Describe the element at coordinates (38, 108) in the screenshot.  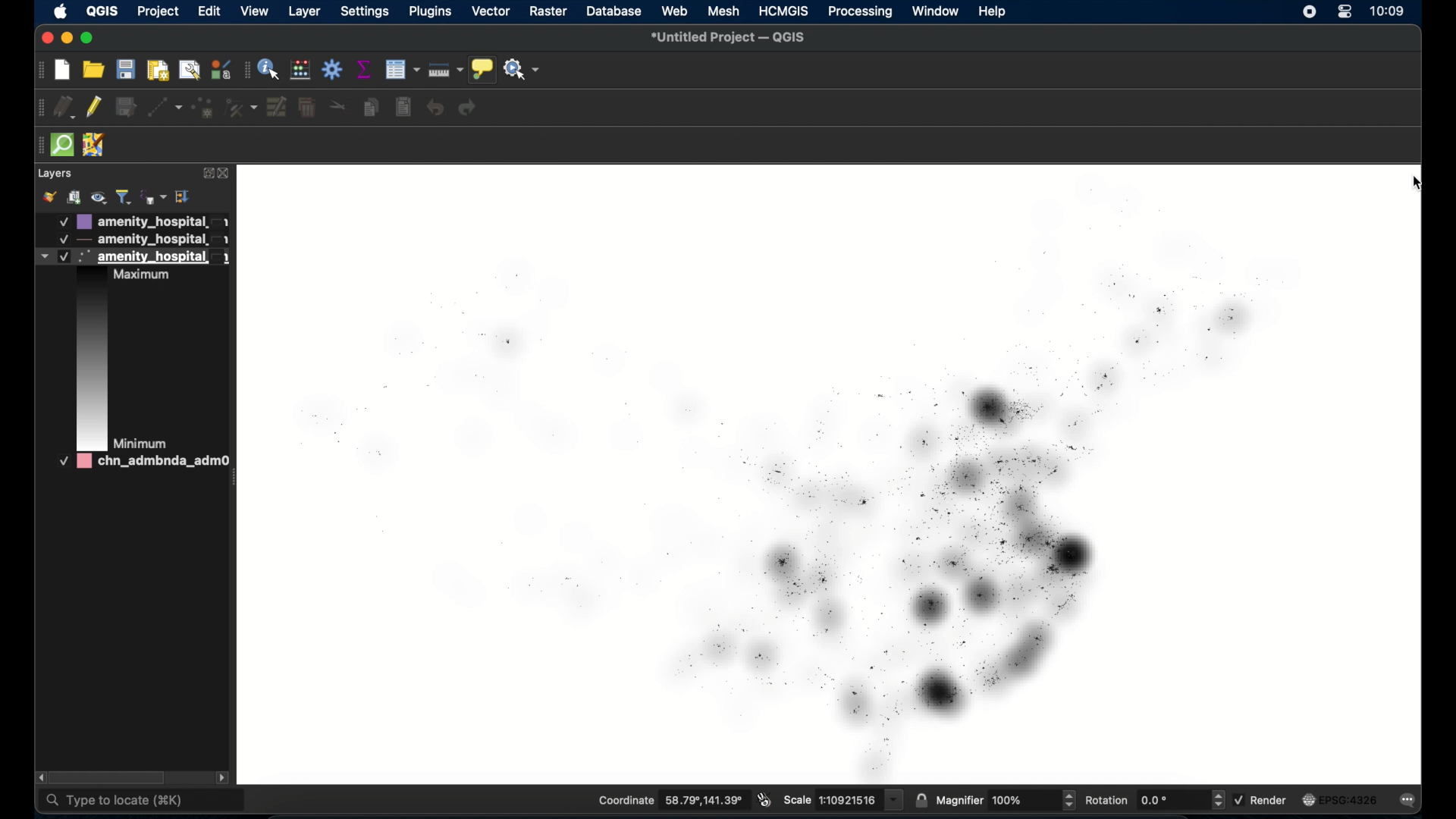
I see `digitizing with segment` at that location.